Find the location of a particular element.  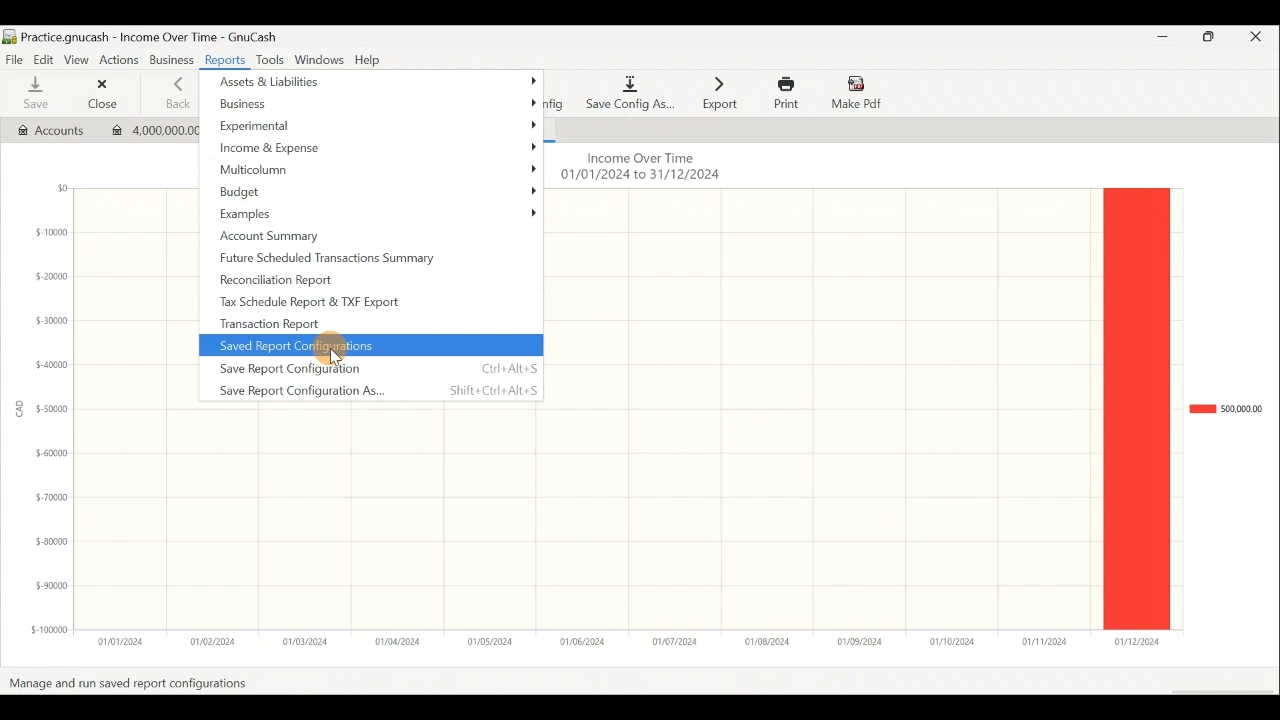

Tax schedule report & TXF export is located at coordinates (330, 303).